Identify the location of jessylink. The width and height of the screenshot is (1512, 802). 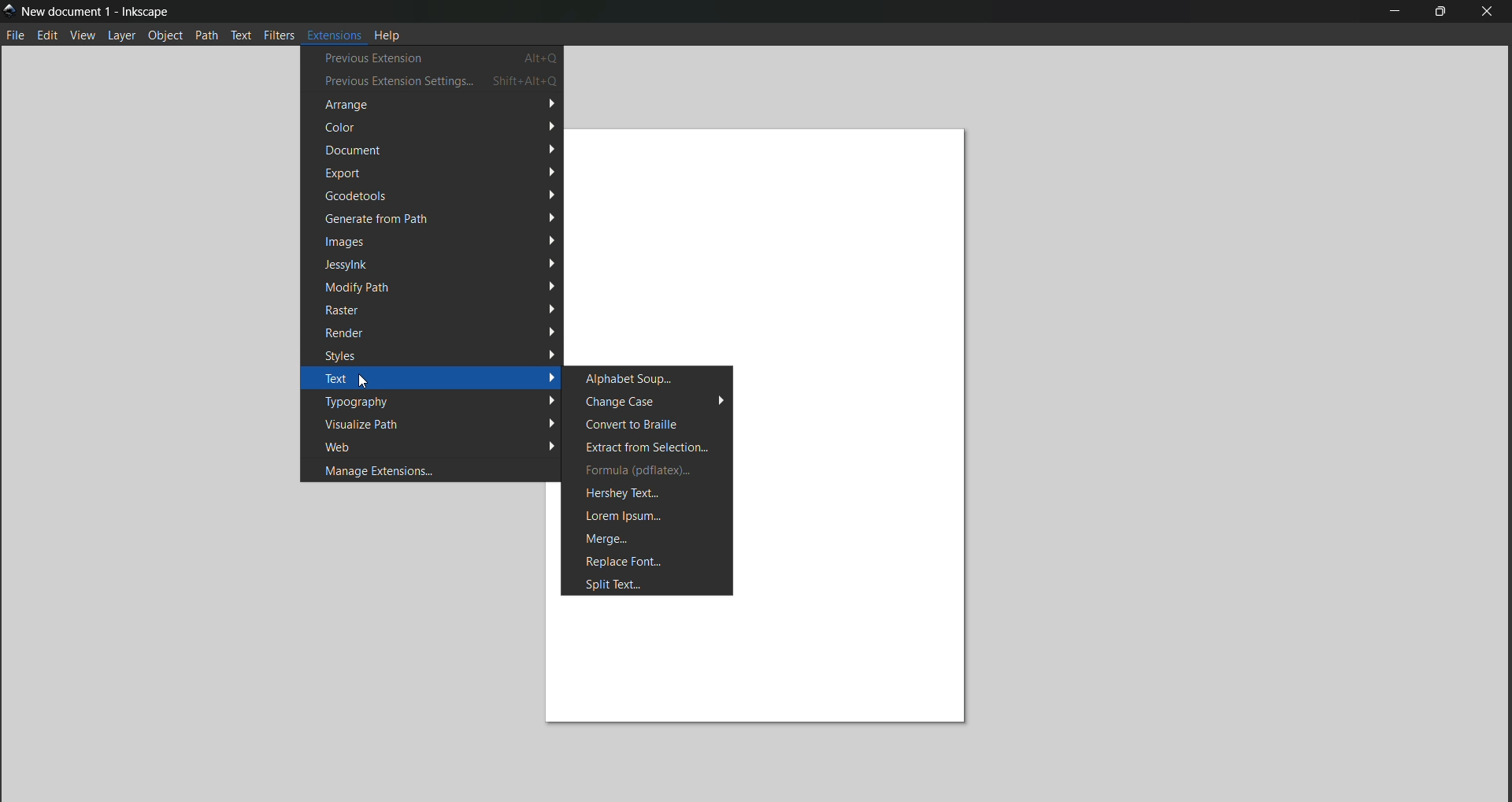
(442, 263).